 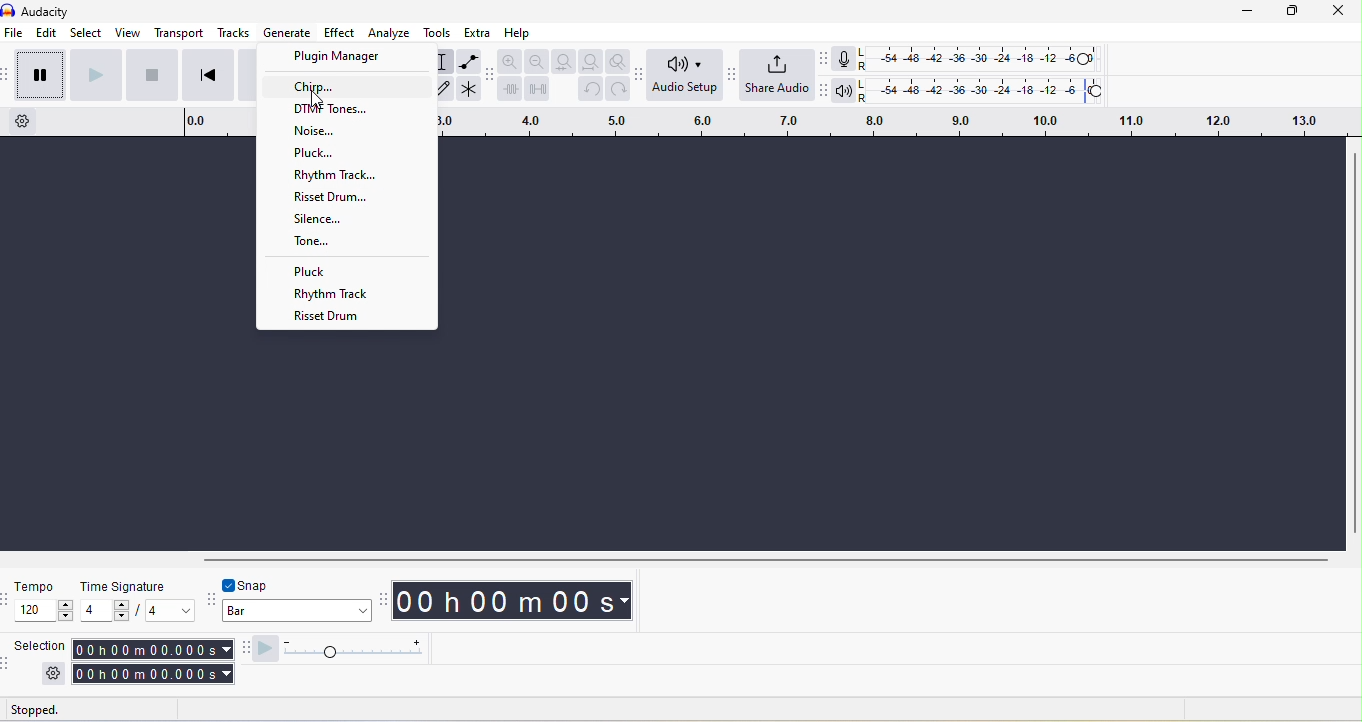 I want to click on title, so click(x=66, y=10).